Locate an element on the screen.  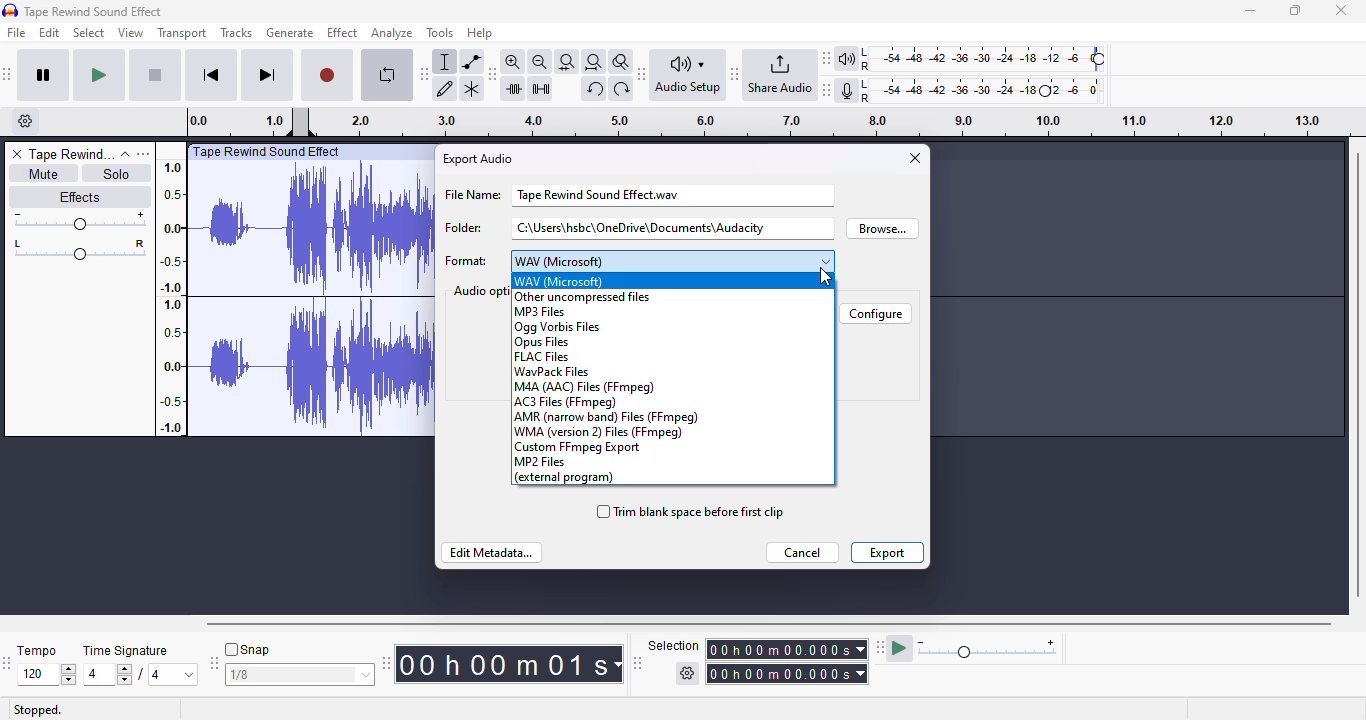
stopped is located at coordinates (37, 710).